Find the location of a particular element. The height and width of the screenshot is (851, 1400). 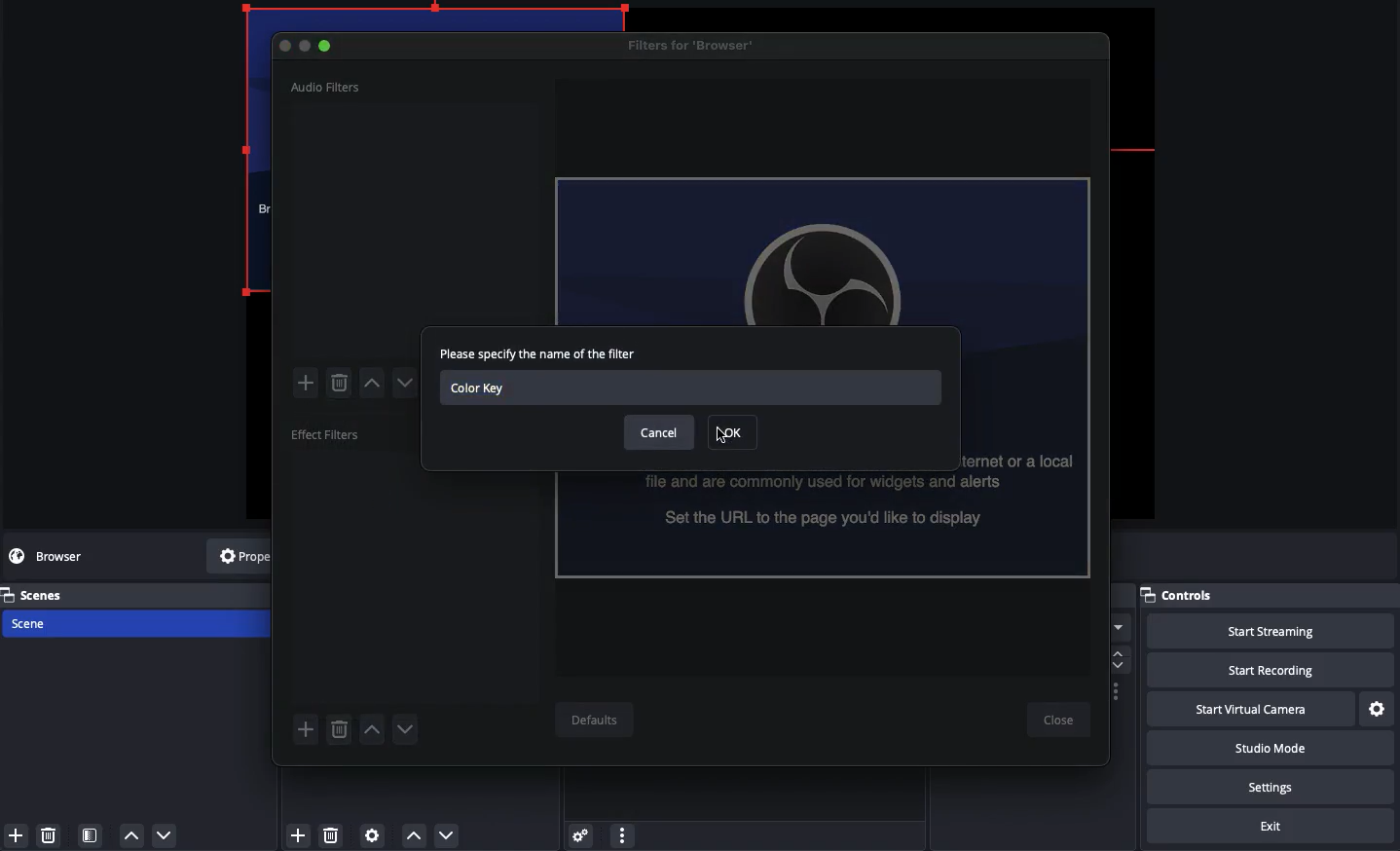

Start streaming is located at coordinates (1262, 631).